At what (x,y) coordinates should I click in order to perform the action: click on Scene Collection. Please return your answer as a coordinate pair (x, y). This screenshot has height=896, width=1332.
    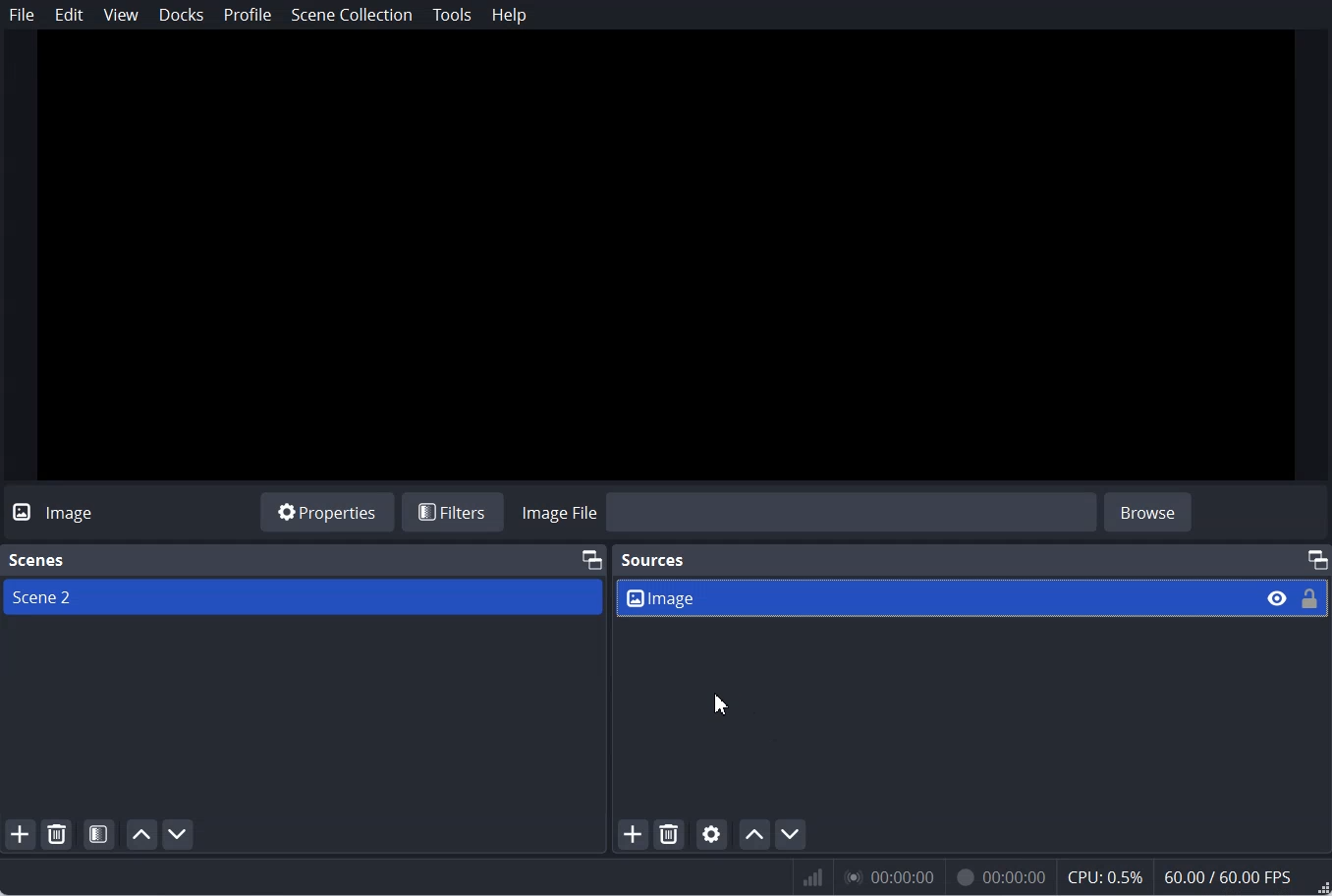
    Looking at the image, I should click on (352, 16).